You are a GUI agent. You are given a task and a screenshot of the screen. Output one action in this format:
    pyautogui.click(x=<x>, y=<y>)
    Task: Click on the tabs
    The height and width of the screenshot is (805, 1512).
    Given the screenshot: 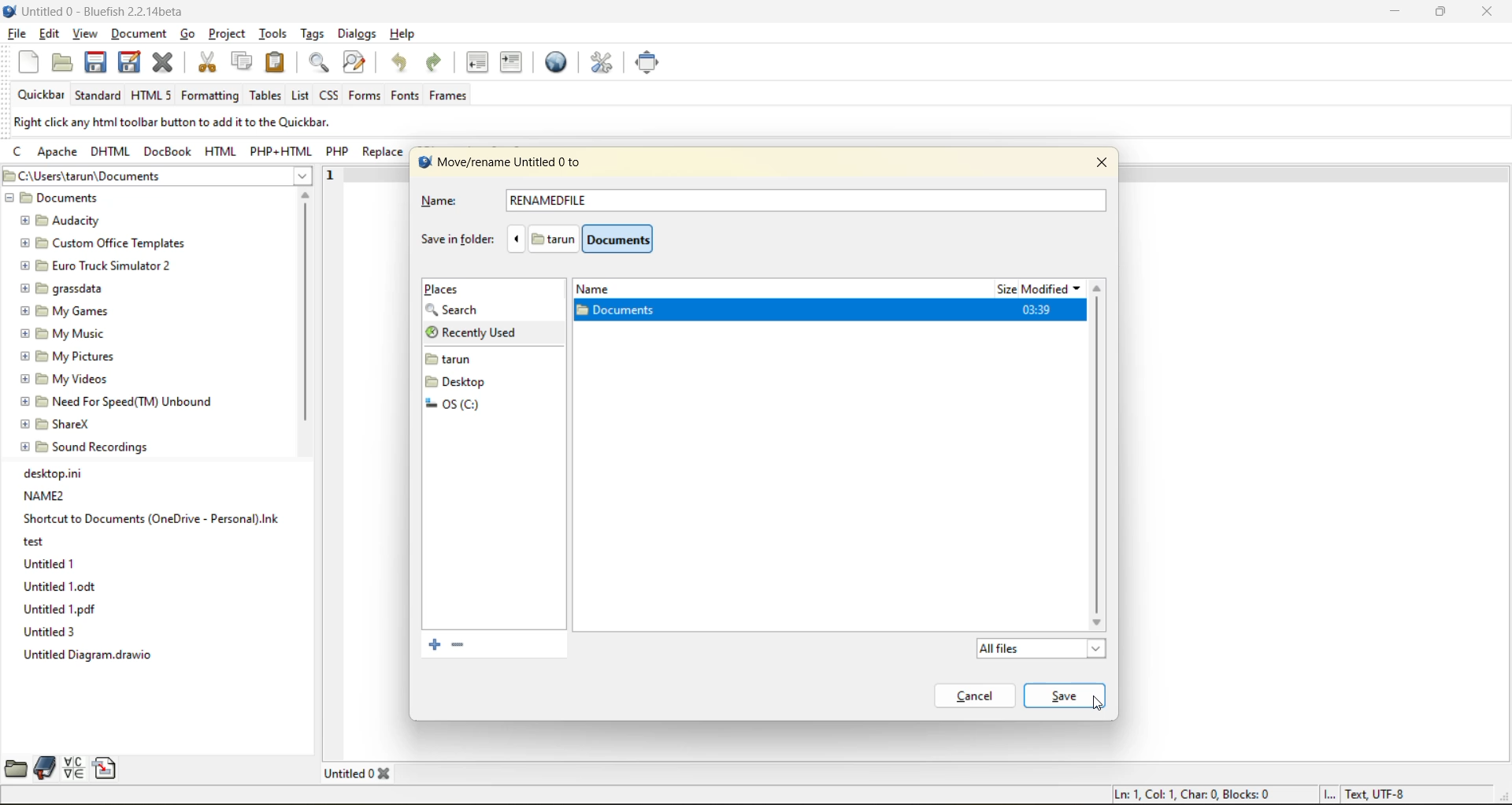 What is the action you would take?
    pyautogui.click(x=360, y=772)
    